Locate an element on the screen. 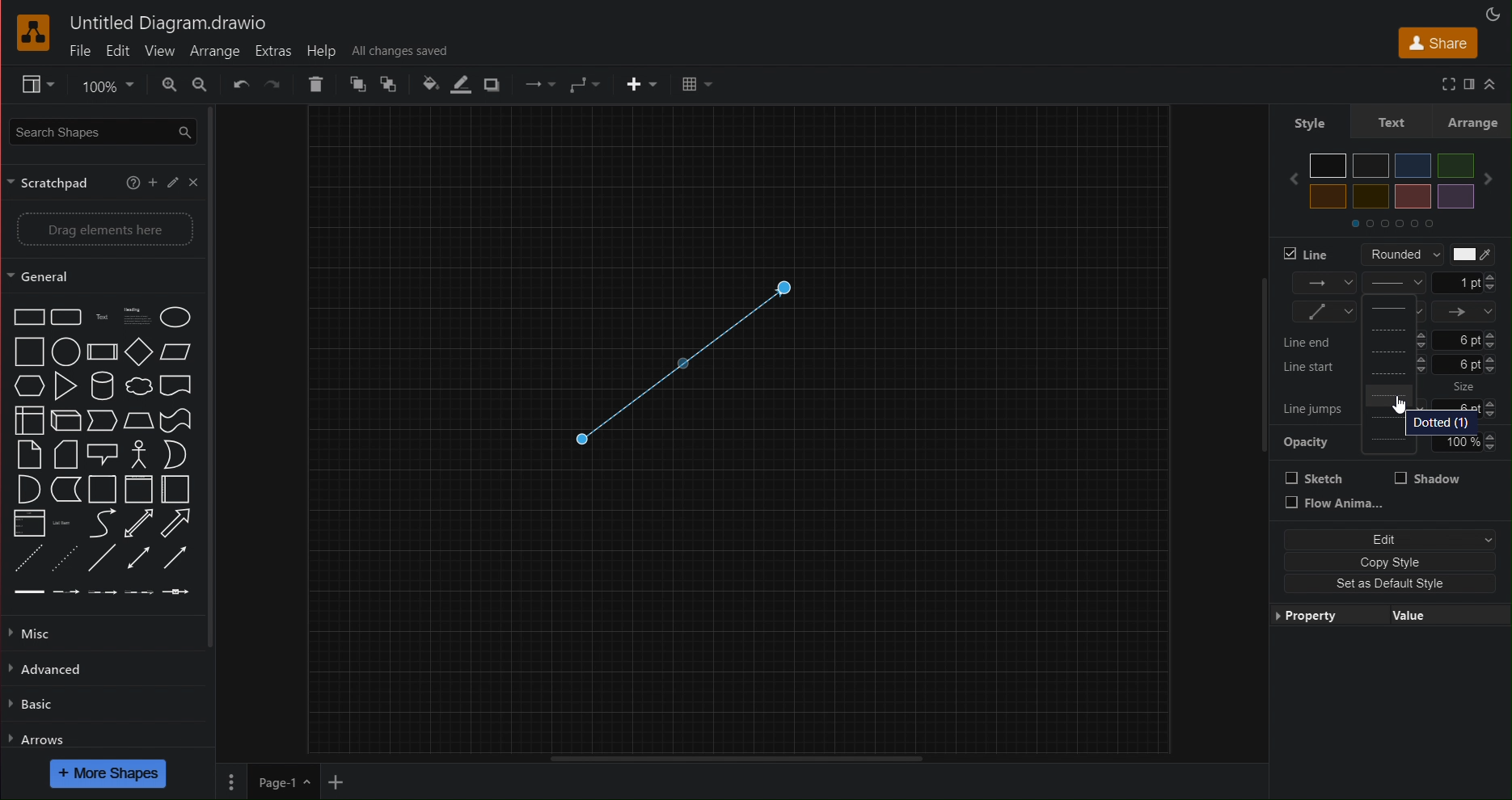 The height and width of the screenshot is (800, 1512). Text is located at coordinates (1390, 123).